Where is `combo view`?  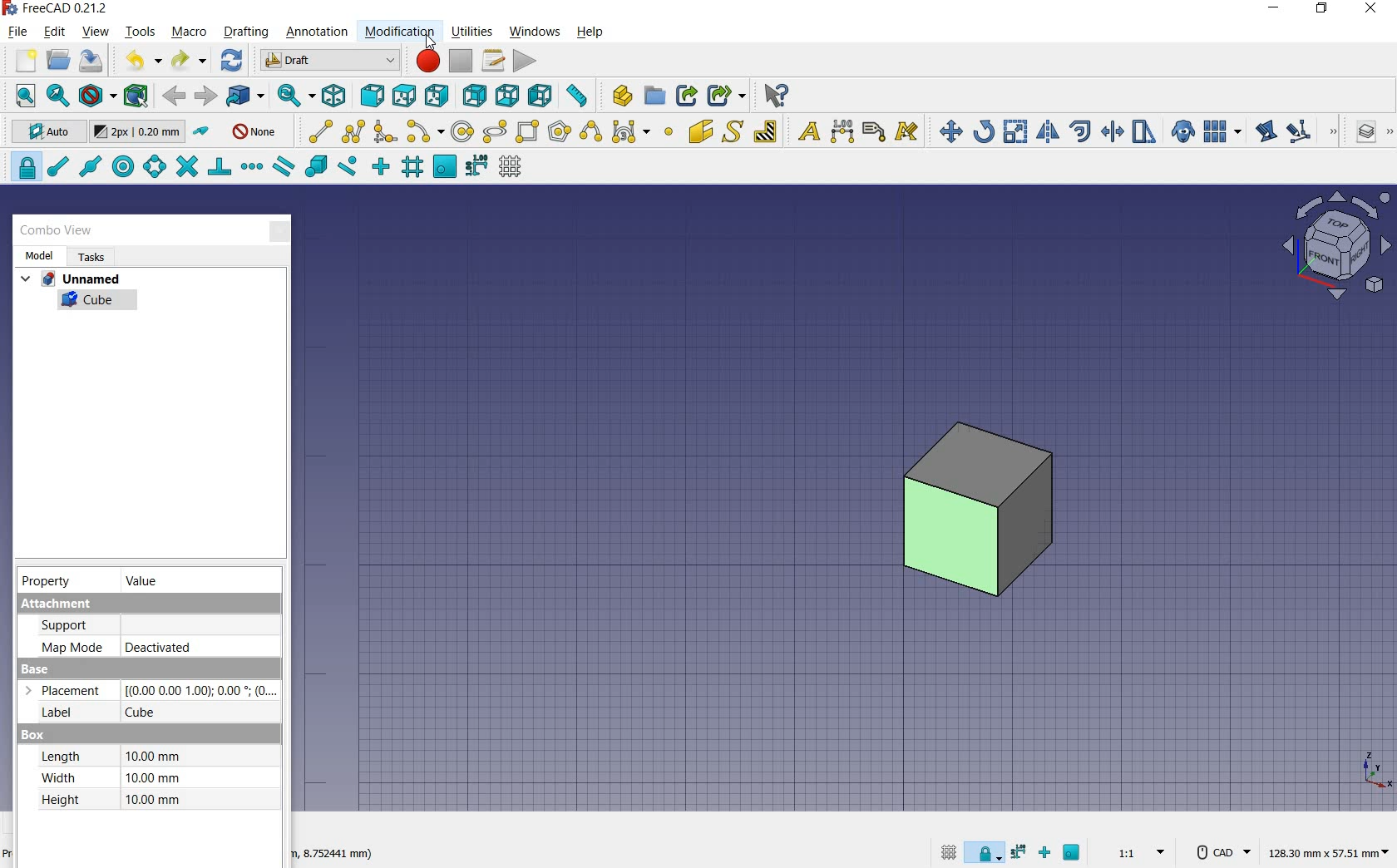
combo view is located at coordinates (57, 232).